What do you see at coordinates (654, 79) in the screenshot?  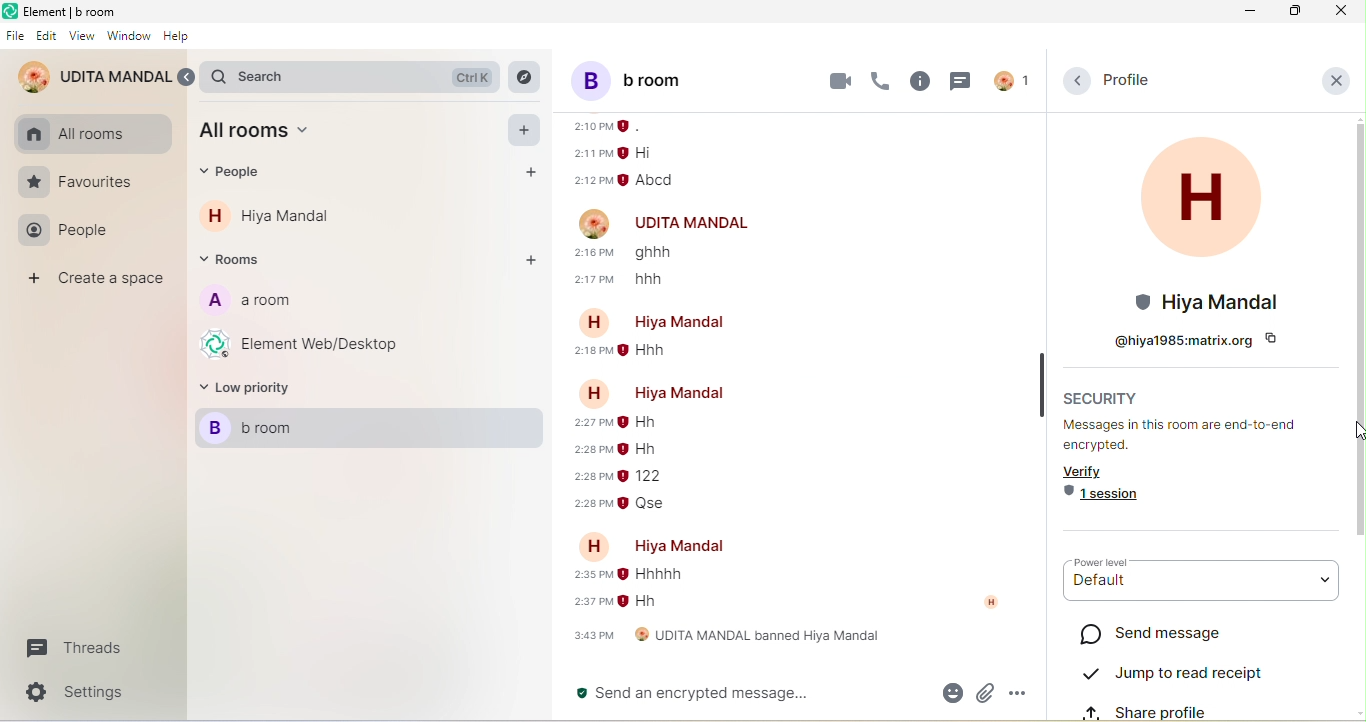 I see `b room` at bounding box center [654, 79].